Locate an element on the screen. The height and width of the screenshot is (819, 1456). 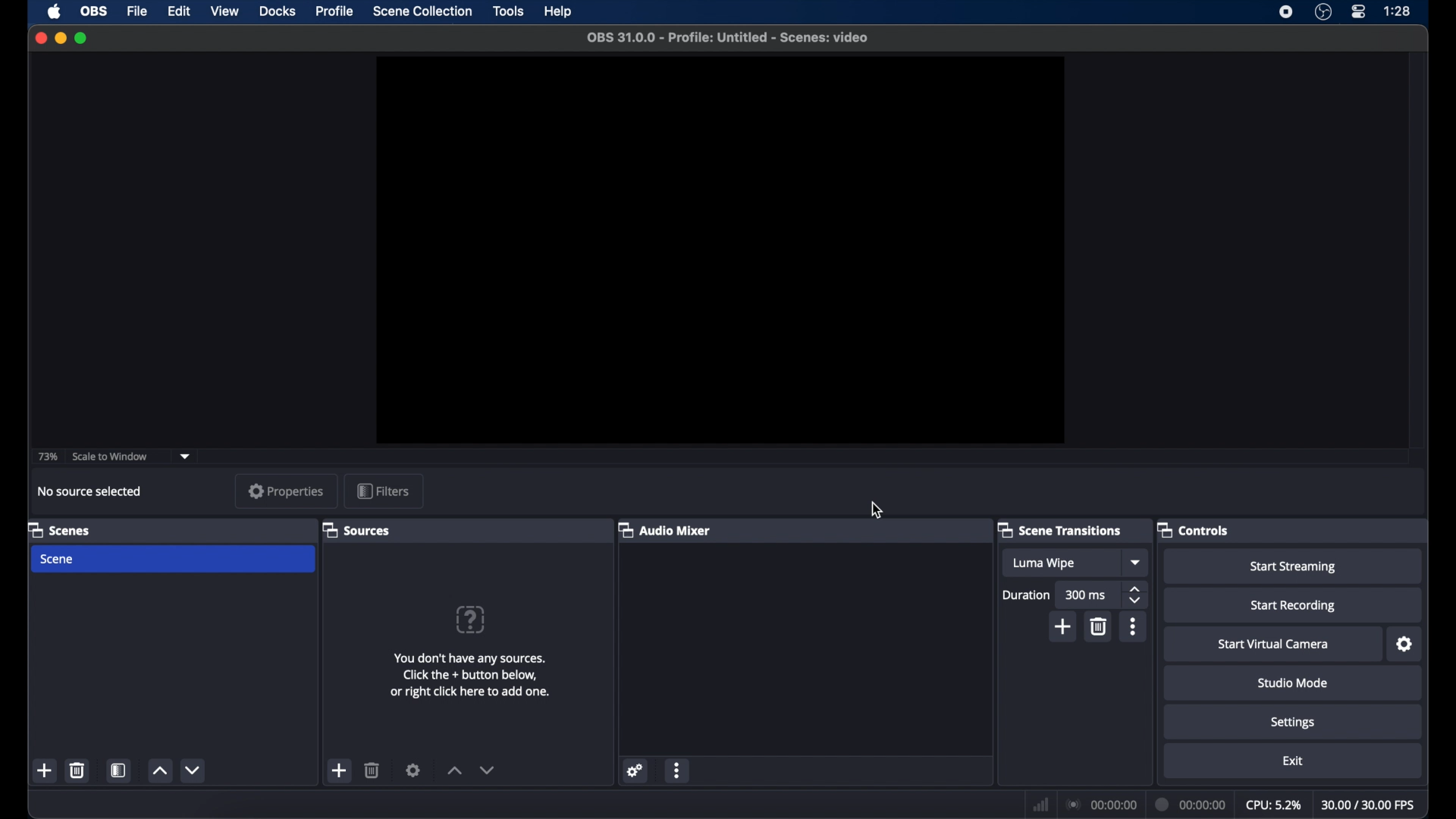
screen recorder icon is located at coordinates (1287, 12).